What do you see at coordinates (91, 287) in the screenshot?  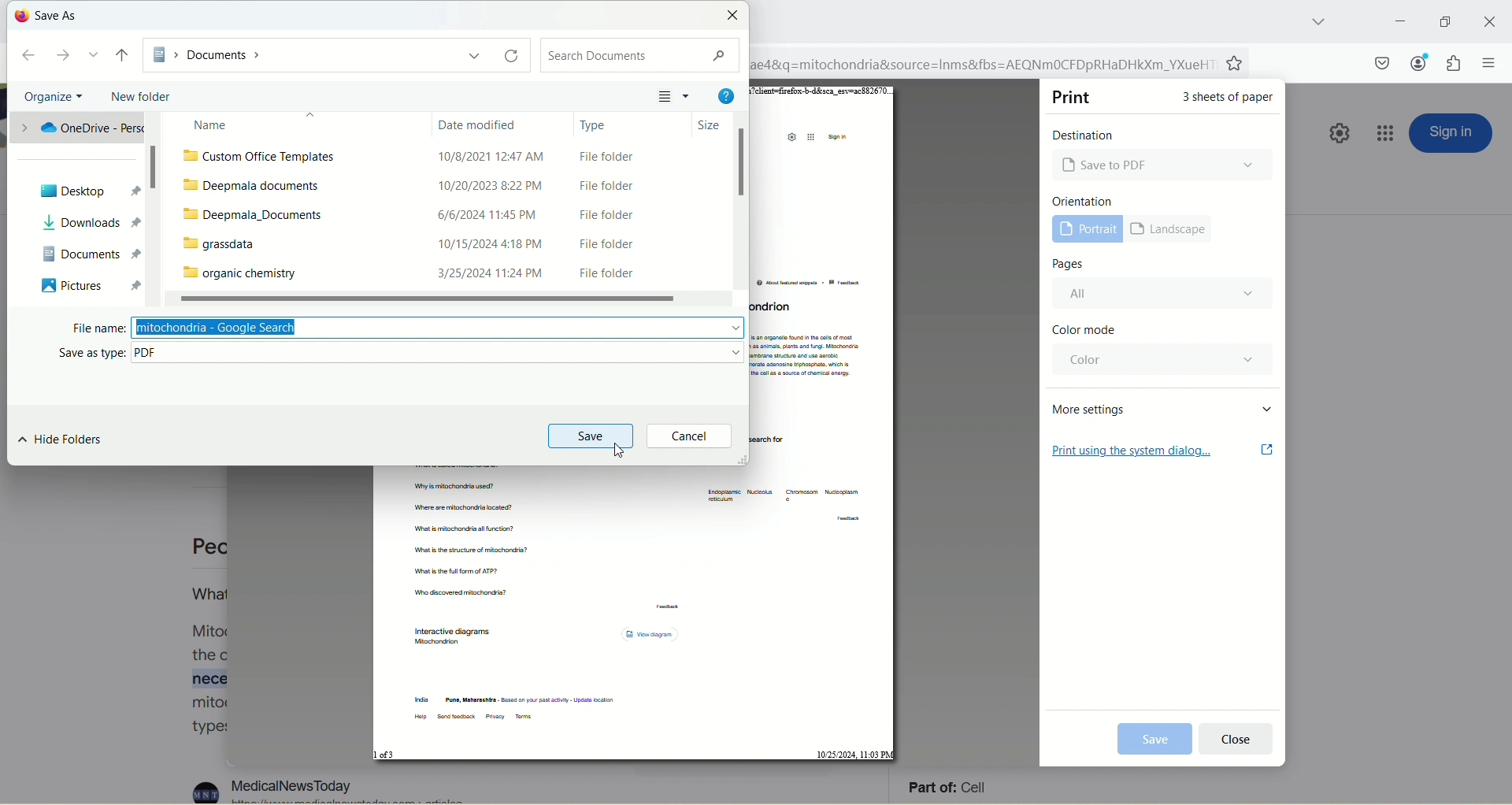 I see `pictures` at bounding box center [91, 287].